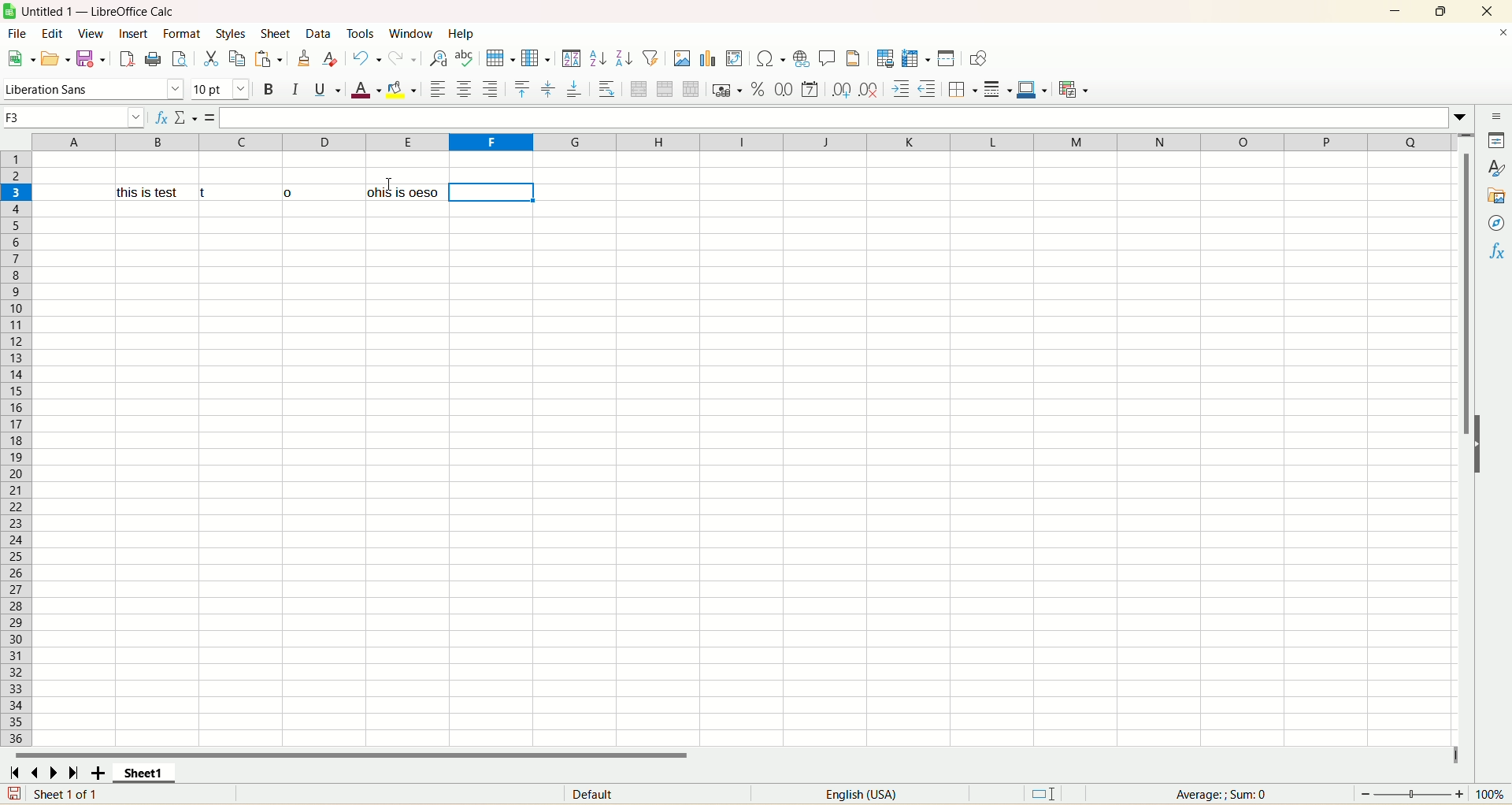 The image size is (1512, 805). What do you see at coordinates (297, 91) in the screenshot?
I see `italics` at bounding box center [297, 91].